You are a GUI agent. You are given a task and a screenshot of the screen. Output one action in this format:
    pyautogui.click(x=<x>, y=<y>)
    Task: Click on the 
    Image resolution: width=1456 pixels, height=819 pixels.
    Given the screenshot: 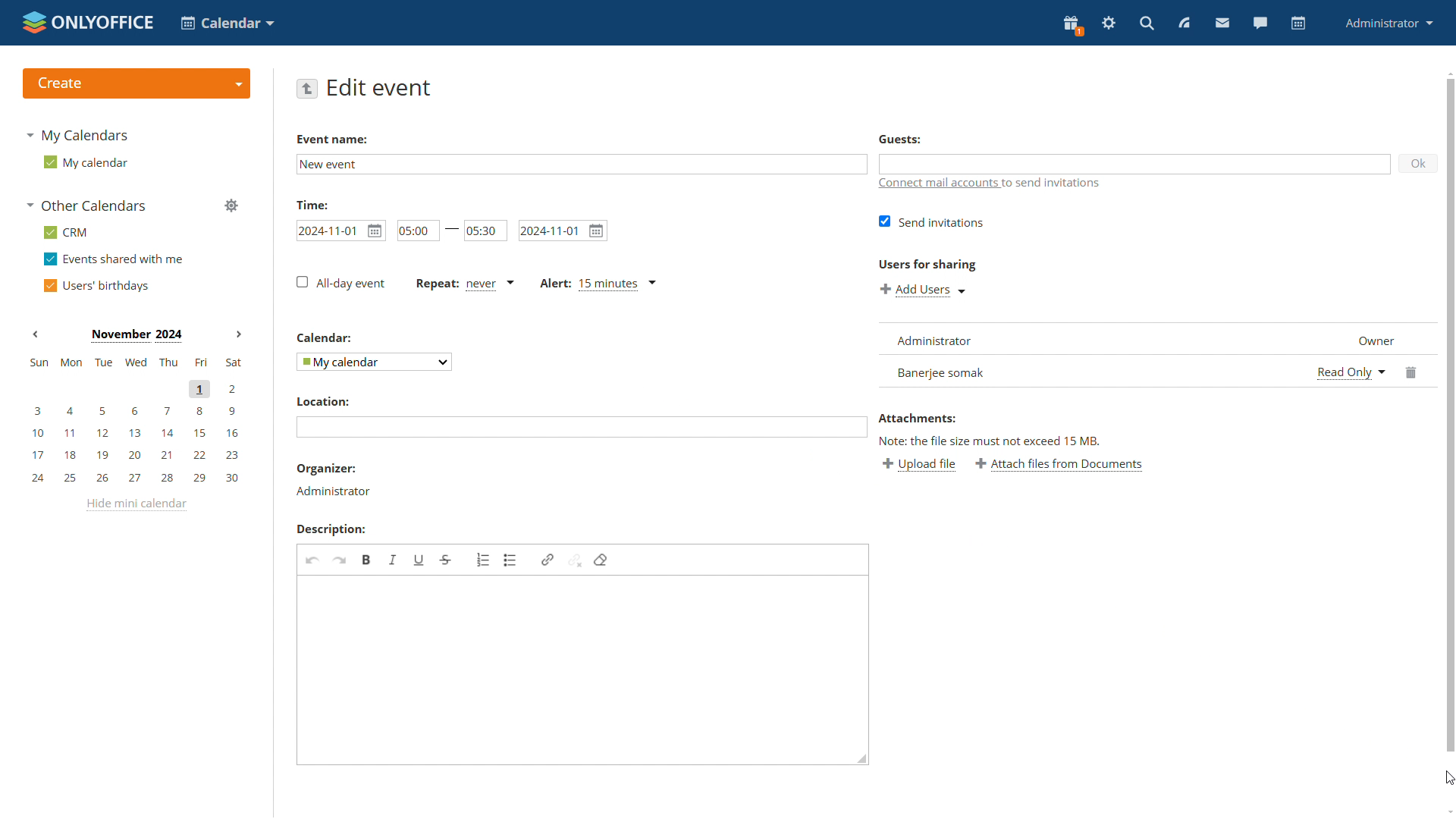 What is the action you would take?
    pyautogui.click(x=325, y=337)
    